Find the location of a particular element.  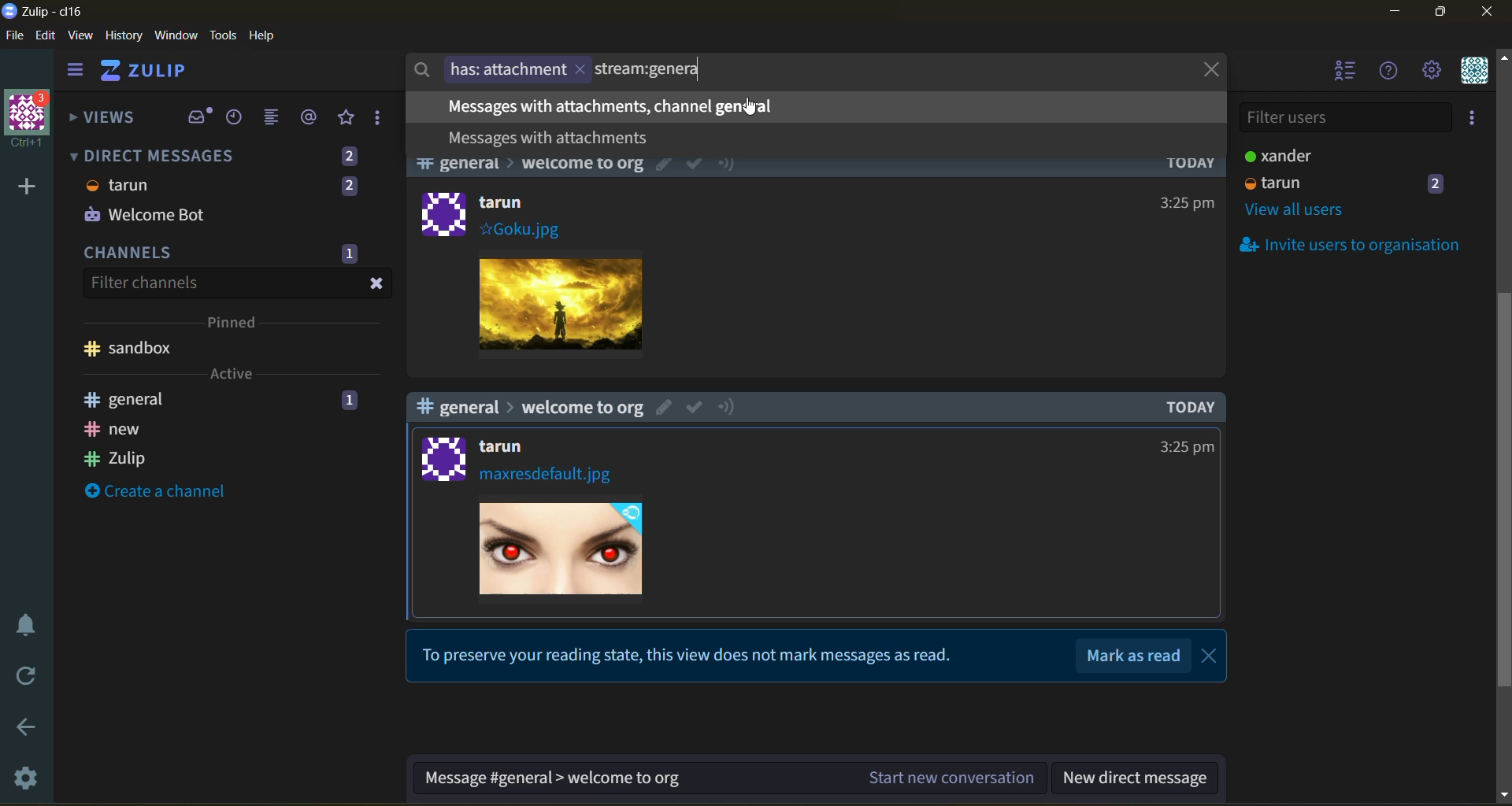

maxresdefault.jpg is located at coordinates (547, 476).